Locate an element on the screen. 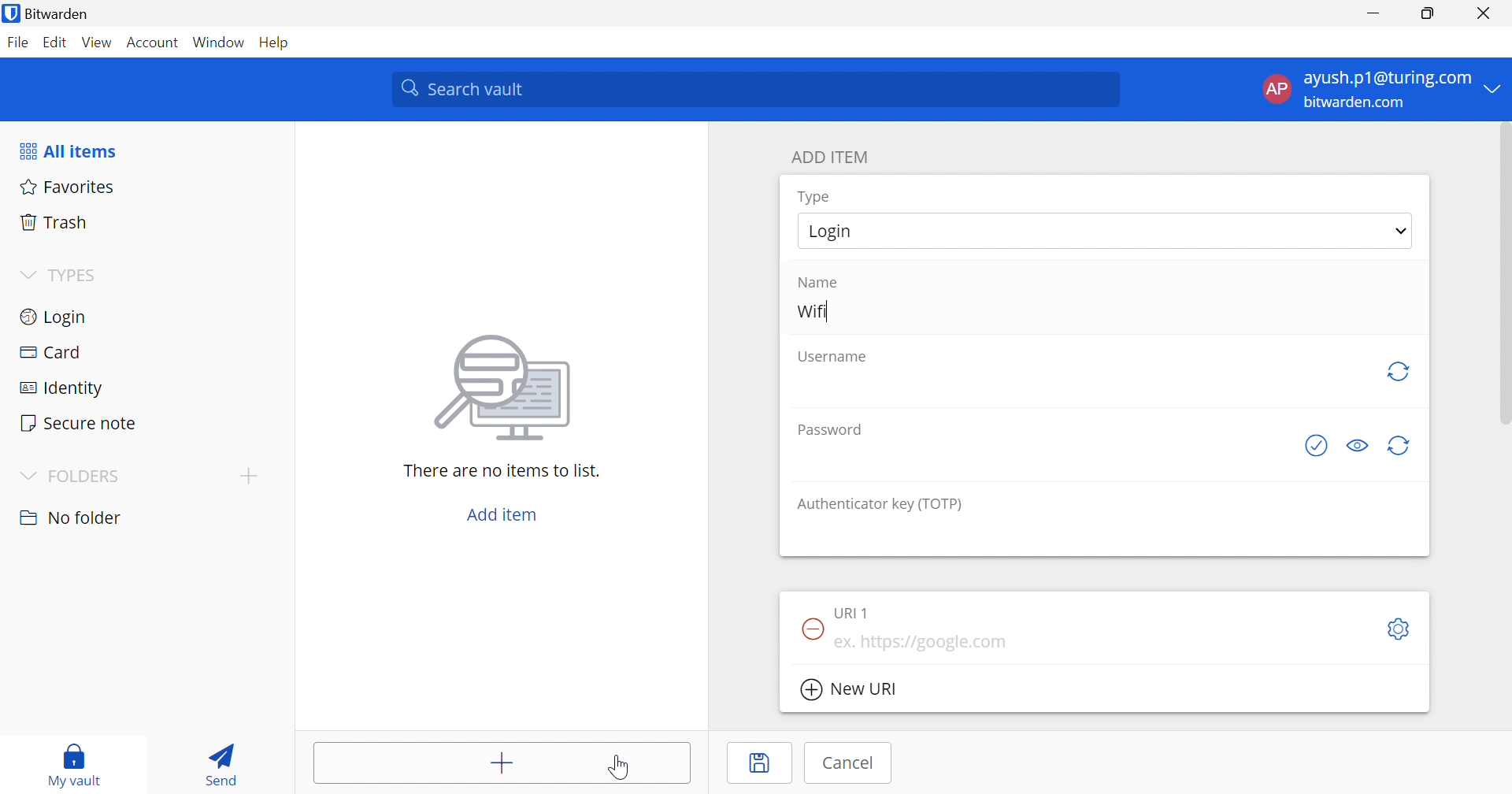 This screenshot has height=794, width=1512. ex. https://google.com is located at coordinates (922, 643).